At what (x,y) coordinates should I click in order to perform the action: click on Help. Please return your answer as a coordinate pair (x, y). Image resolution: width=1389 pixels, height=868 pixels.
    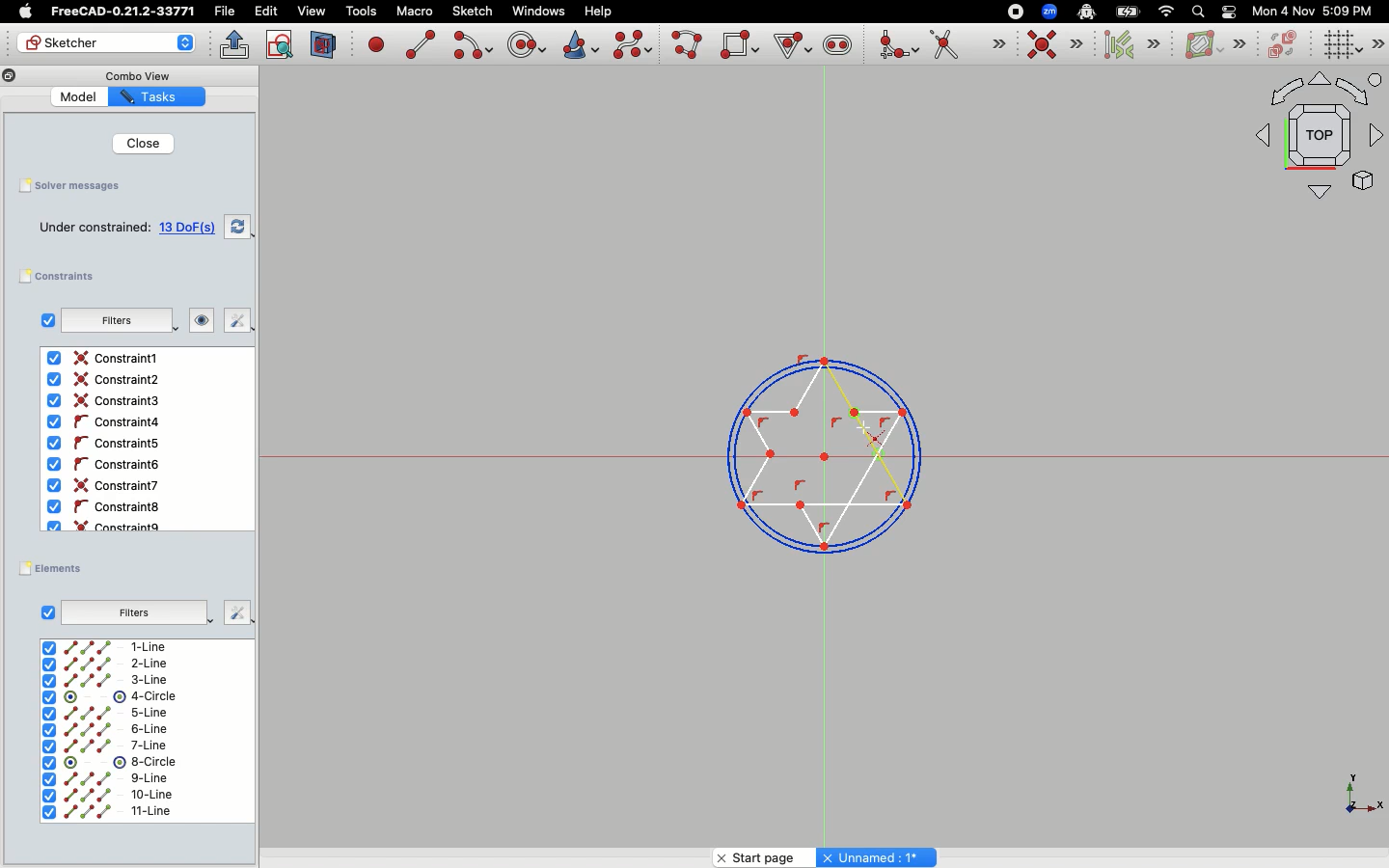
    Looking at the image, I should click on (599, 10).